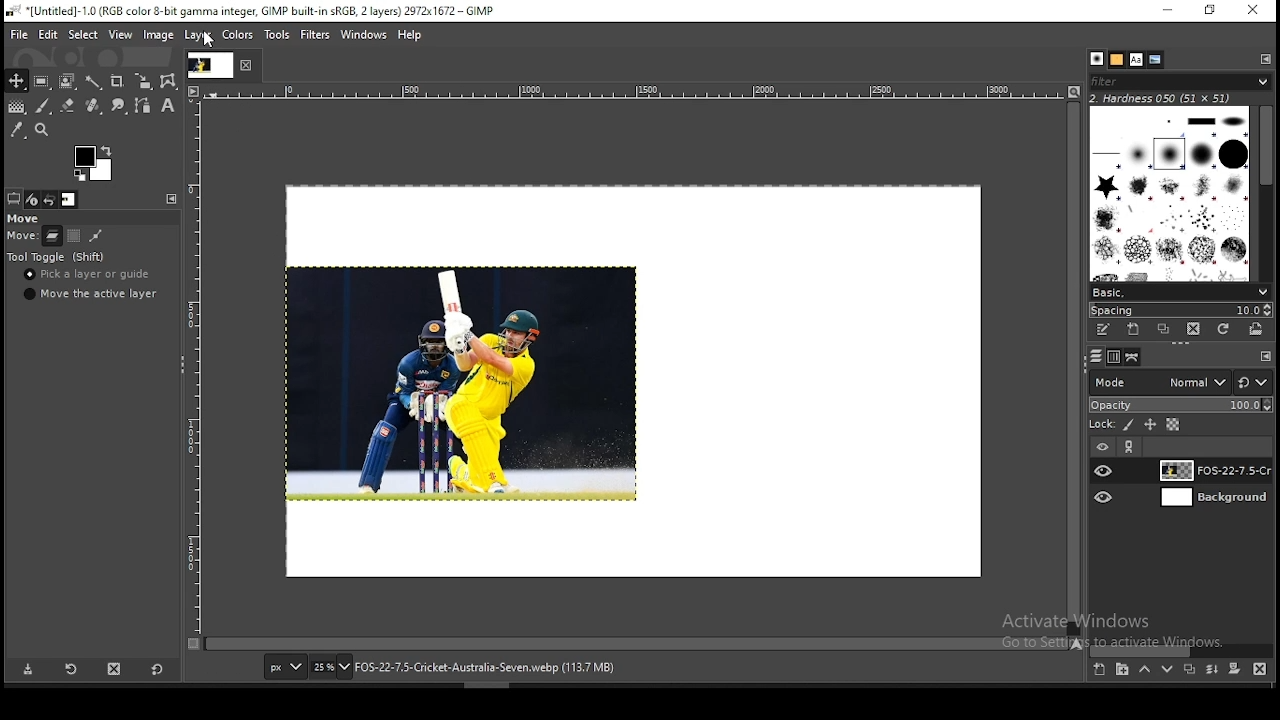 This screenshot has height=720, width=1280. What do you see at coordinates (88, 294) in the screenshot?
I see `move the active layer` at bounding box center [88, 294].